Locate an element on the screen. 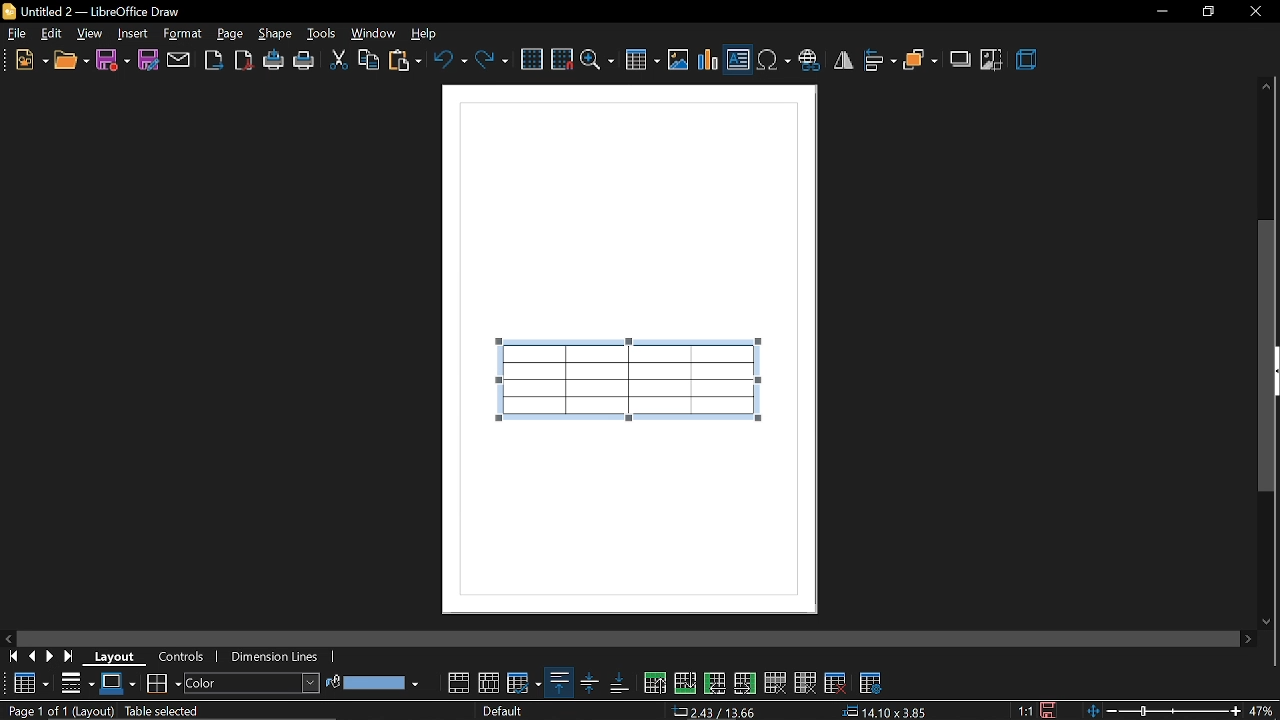 Image resolution: width=1280 pixels, height=720 pixels. border style is located at coordinates (78, 683).